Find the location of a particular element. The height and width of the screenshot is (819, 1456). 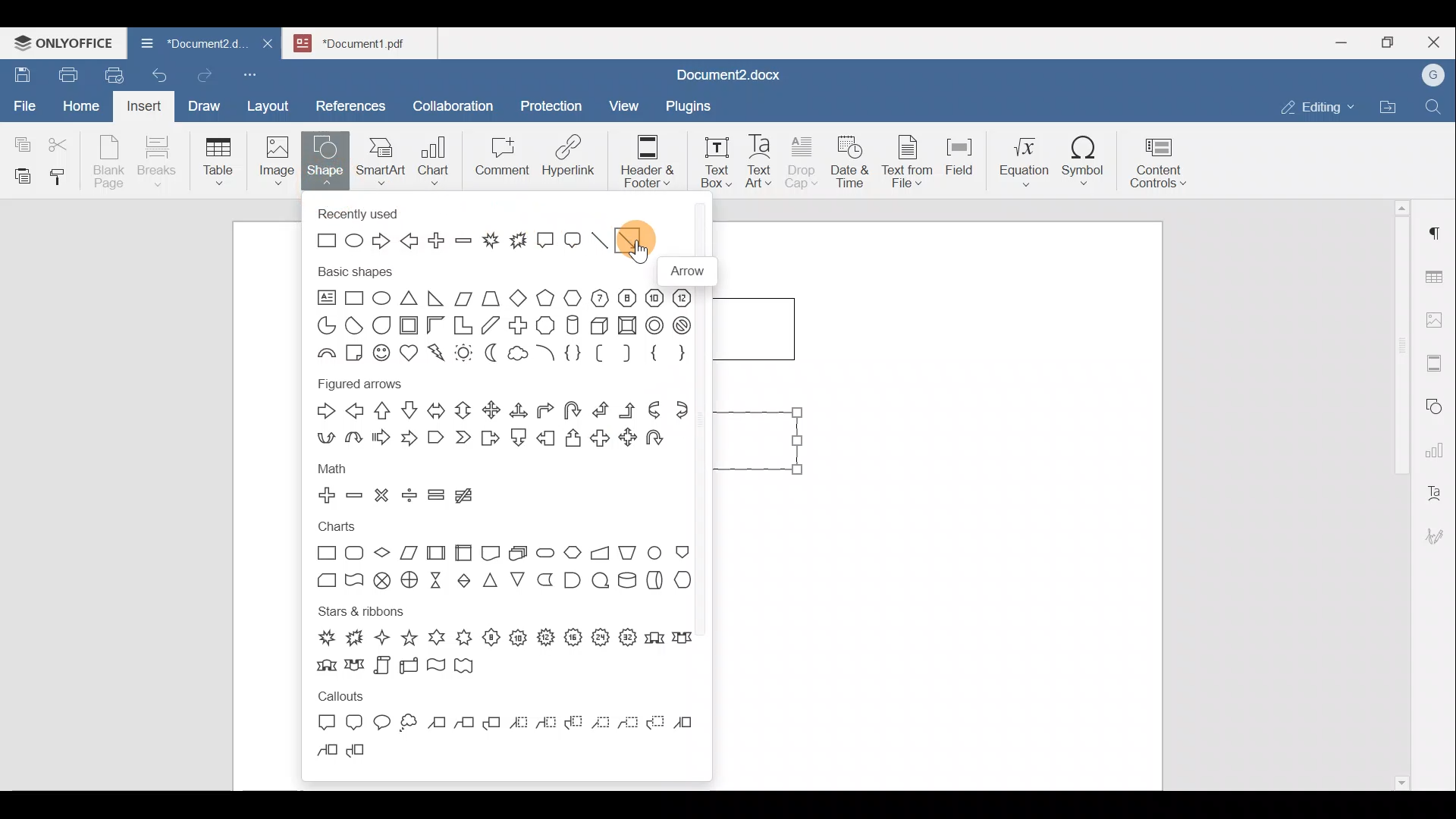

Layout is located at coordinates (271, 103).